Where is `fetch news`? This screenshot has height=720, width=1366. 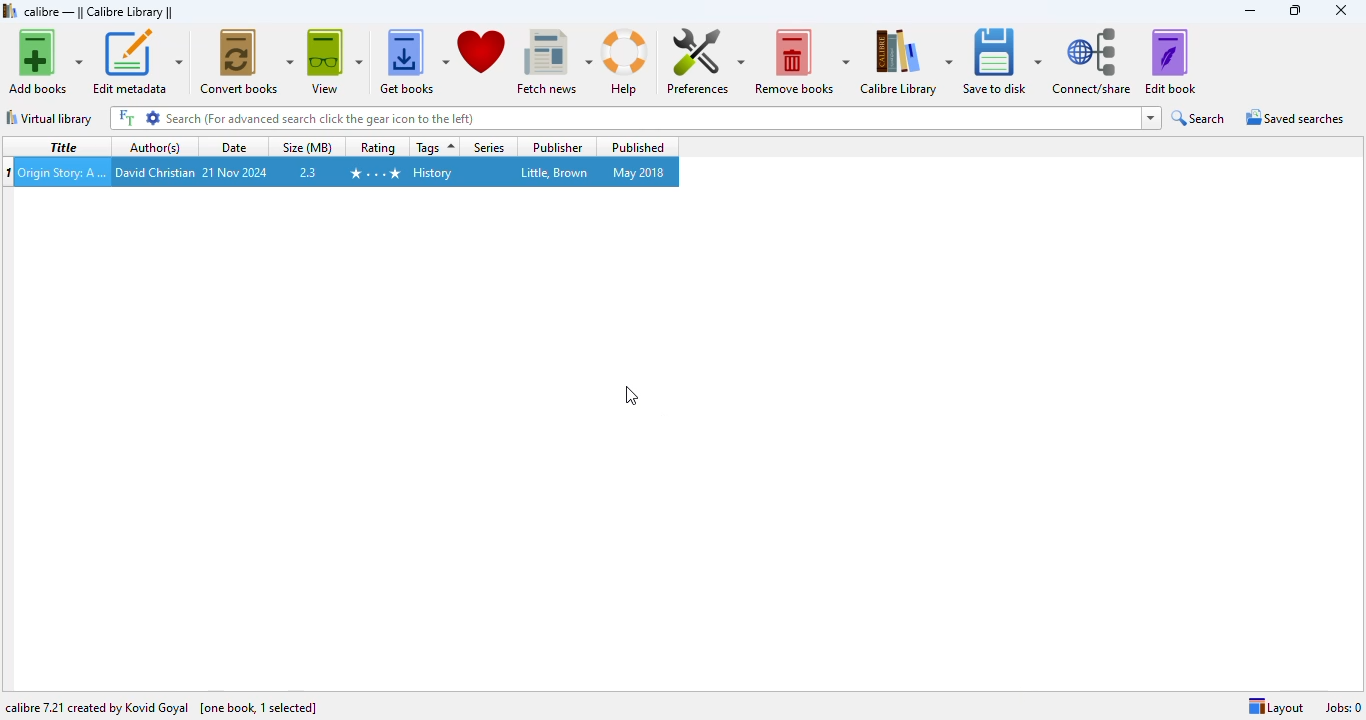
fetch news is located at coordinates (555, 58).